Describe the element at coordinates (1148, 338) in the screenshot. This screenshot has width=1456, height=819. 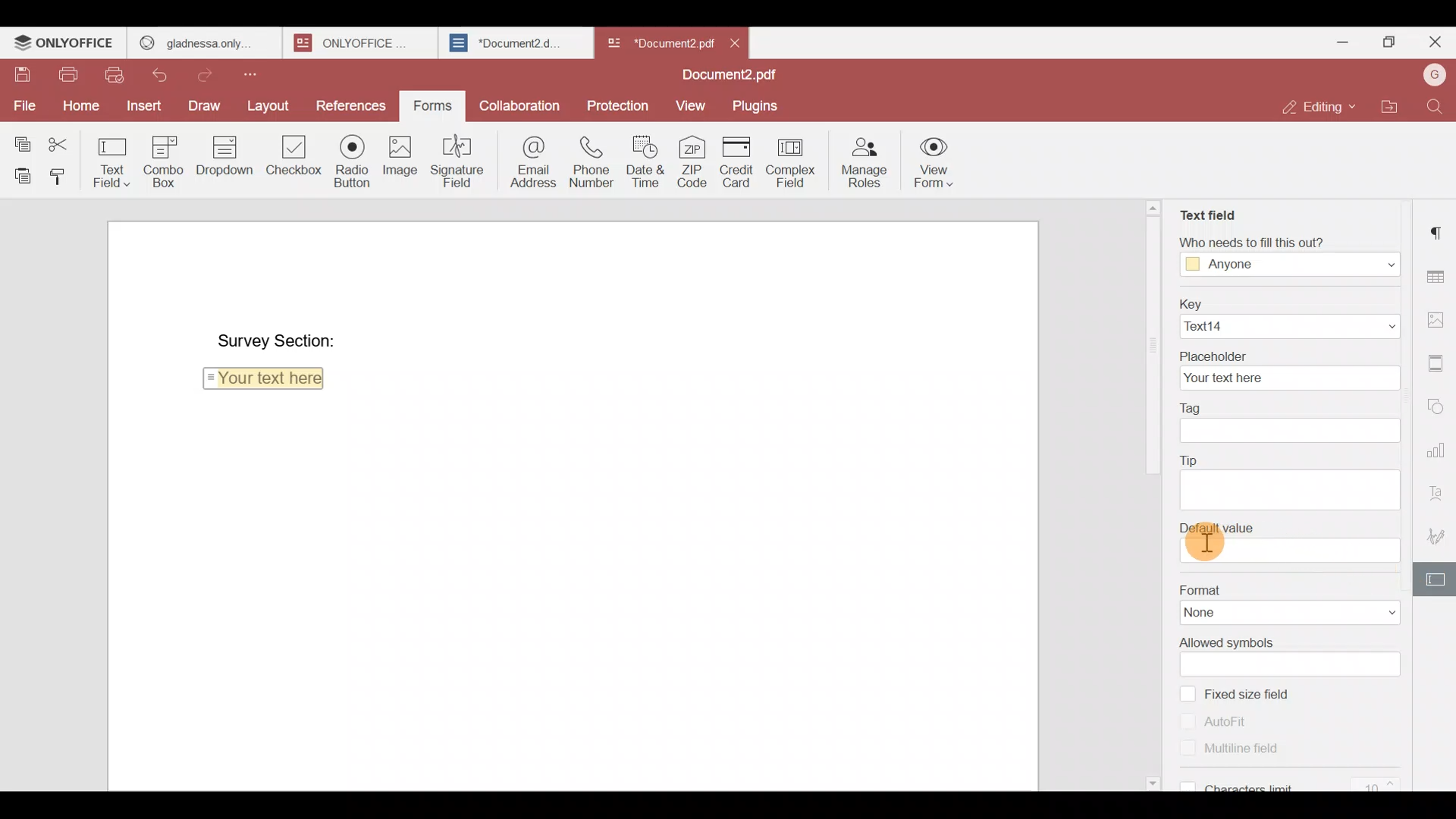
I see `scroll bar` at that location.